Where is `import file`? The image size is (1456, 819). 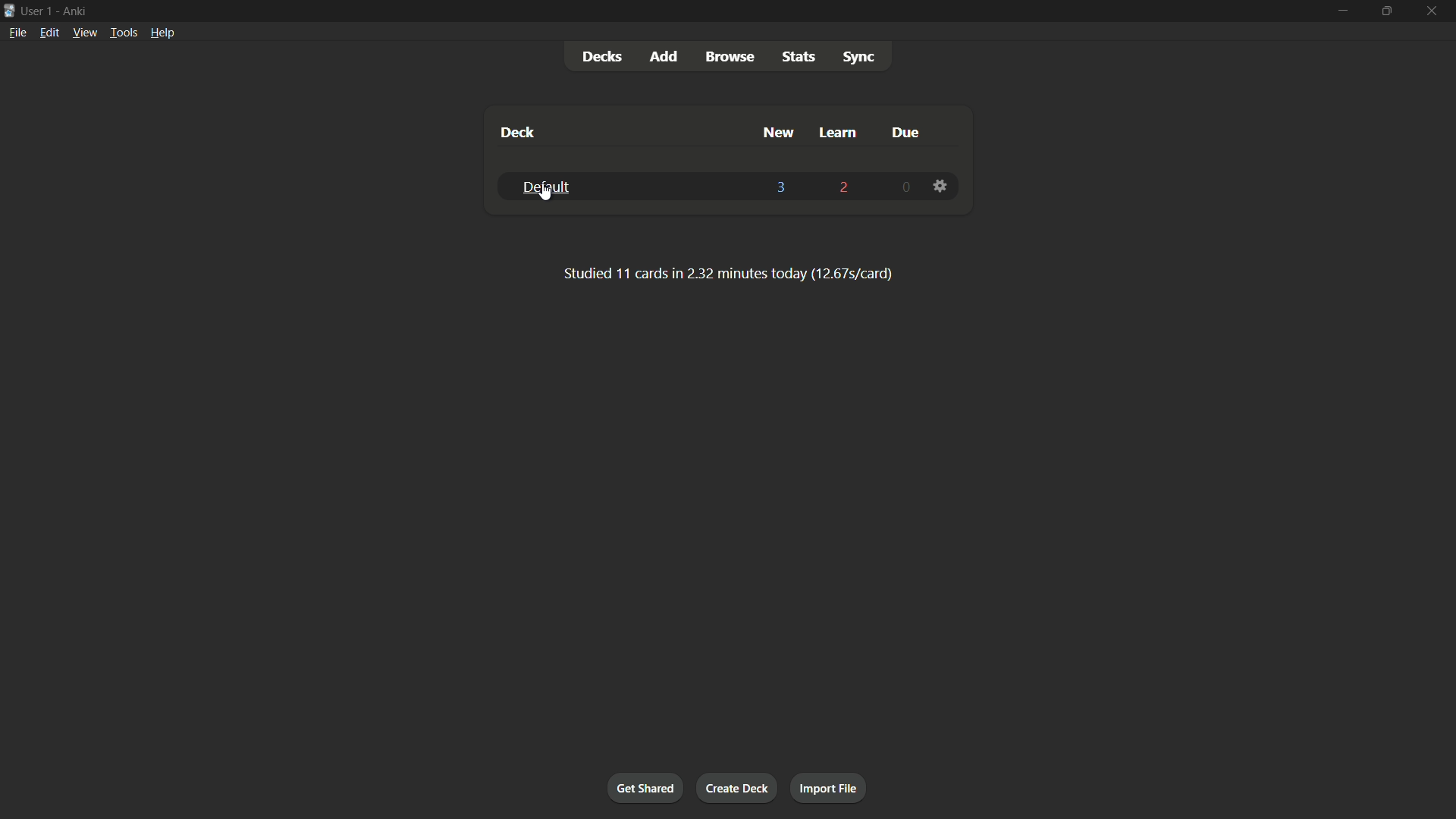
import file is located at coordinates (830, 789).